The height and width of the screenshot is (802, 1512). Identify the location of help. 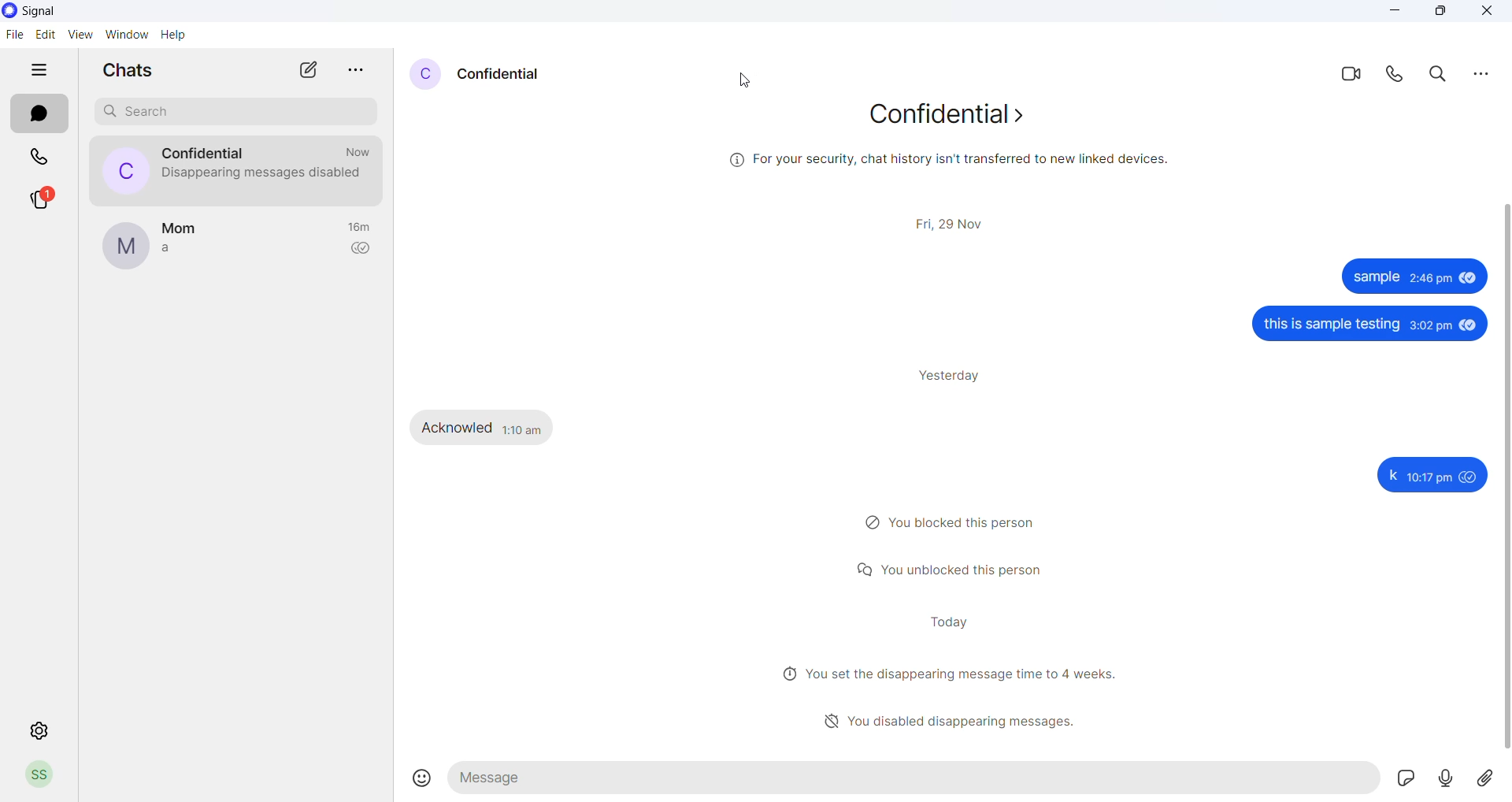
(174, 35).